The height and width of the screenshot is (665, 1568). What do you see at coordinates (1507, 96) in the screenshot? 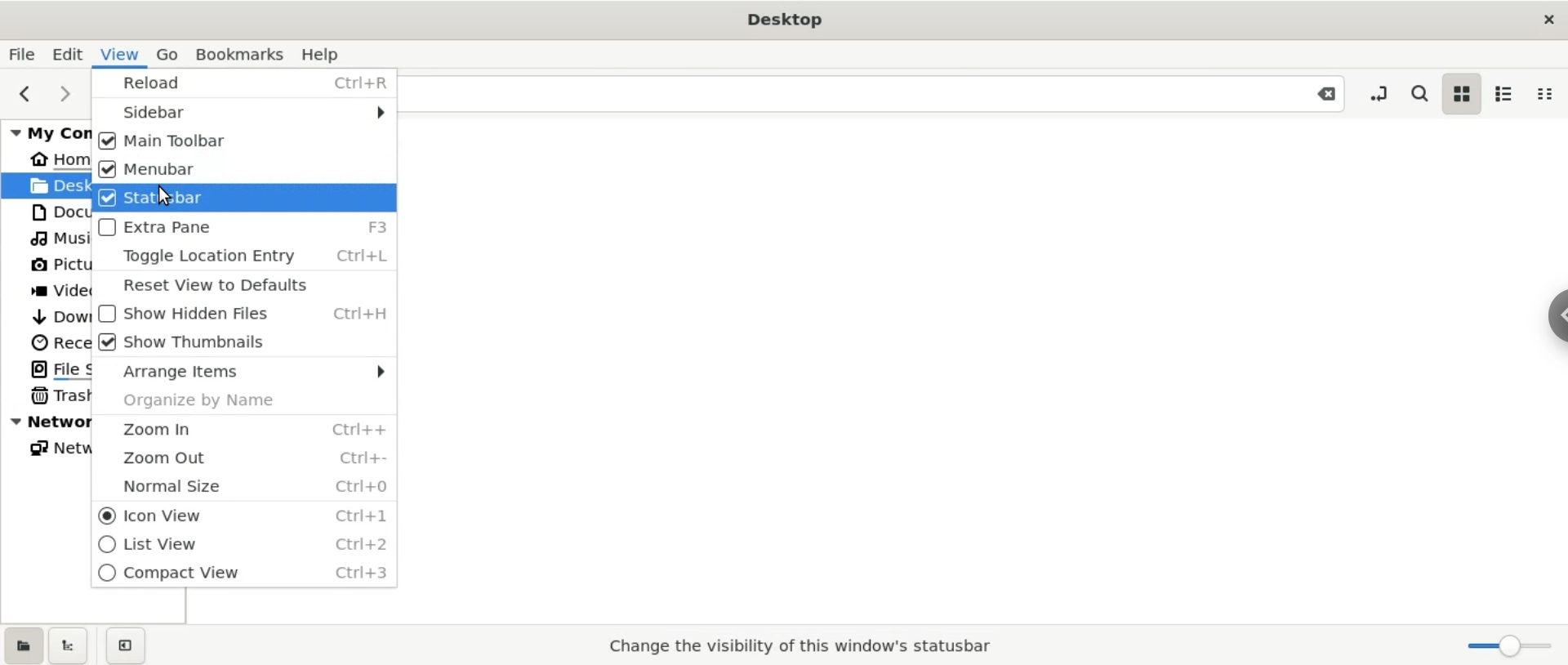
I see `list view` at bounding box center [1507, 96].